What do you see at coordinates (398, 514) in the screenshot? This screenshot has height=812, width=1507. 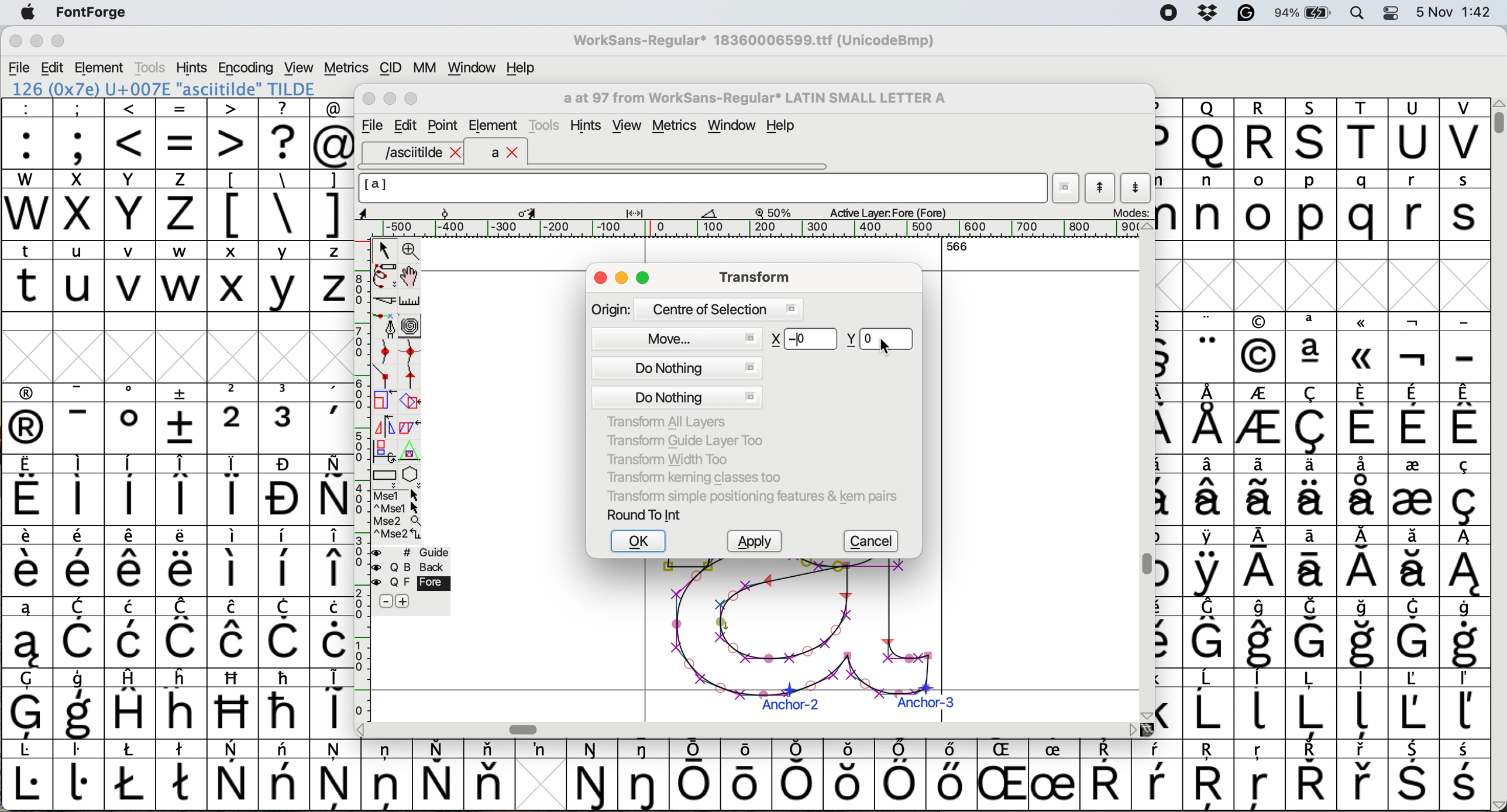 I see `more options` at bounding box center [398, 514].